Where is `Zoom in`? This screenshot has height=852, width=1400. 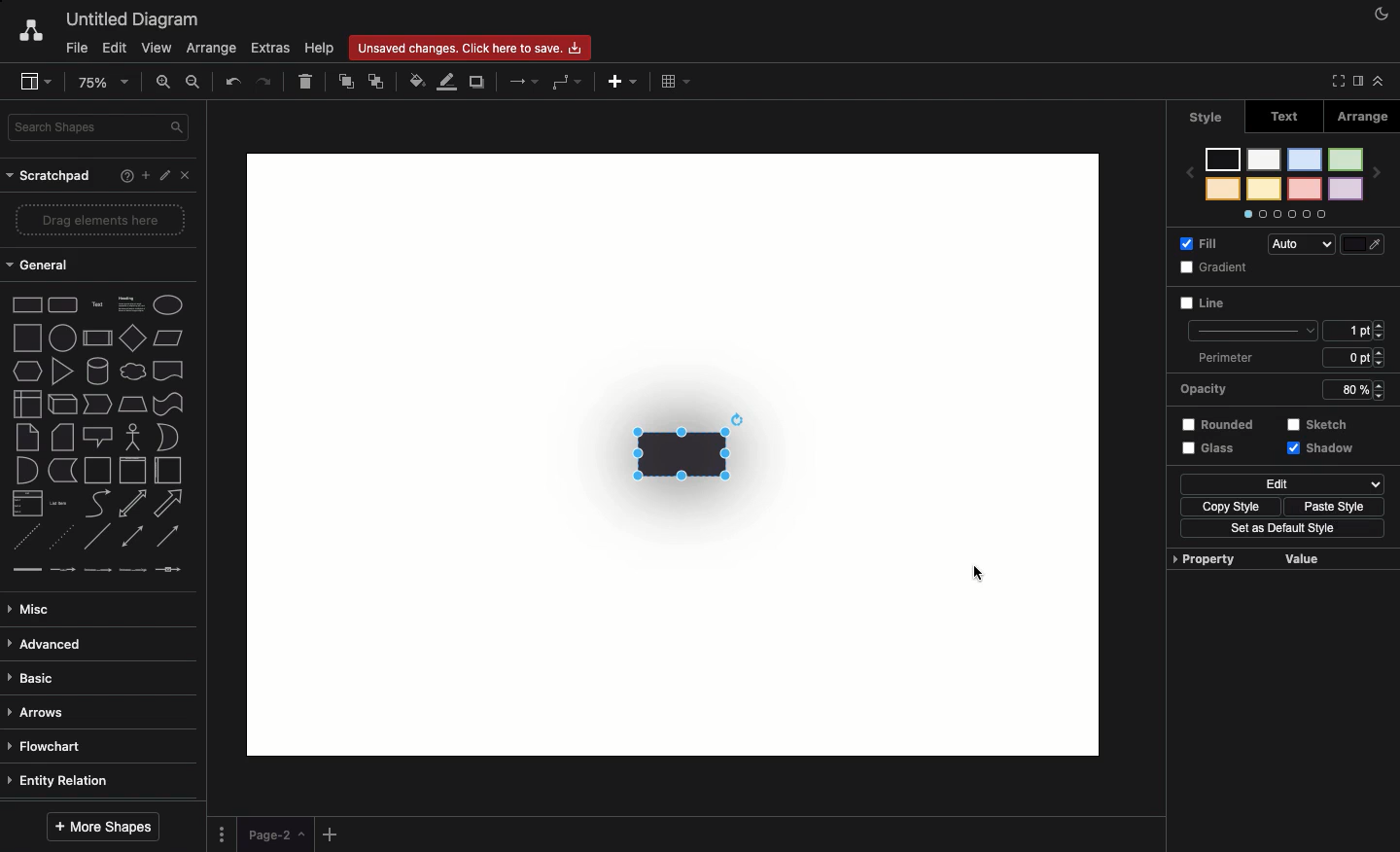 Zoom in is located at coordinates (164, 85).